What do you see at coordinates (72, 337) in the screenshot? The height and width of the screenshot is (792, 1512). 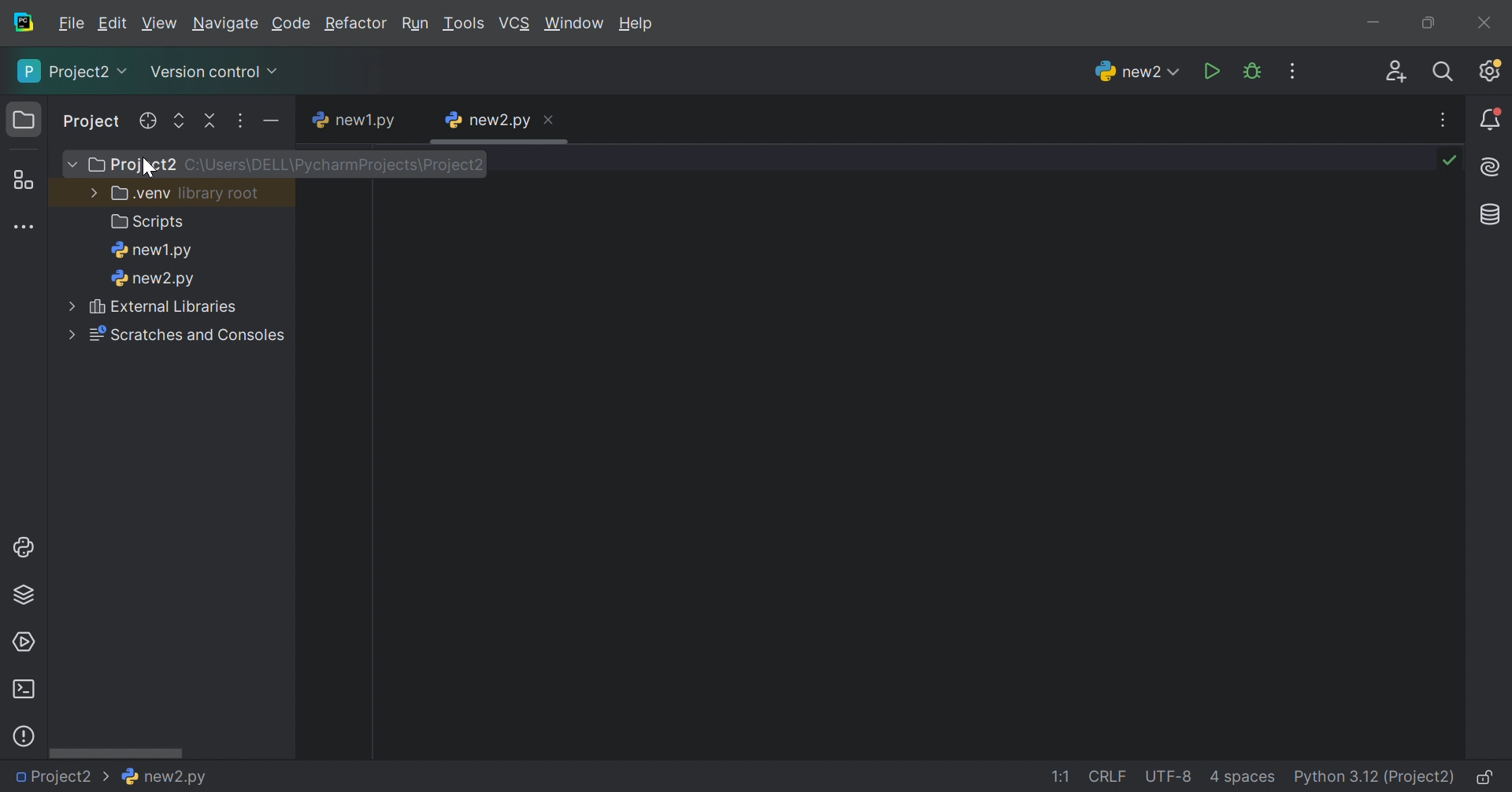 I see `More` at bounding box center [72, 337].